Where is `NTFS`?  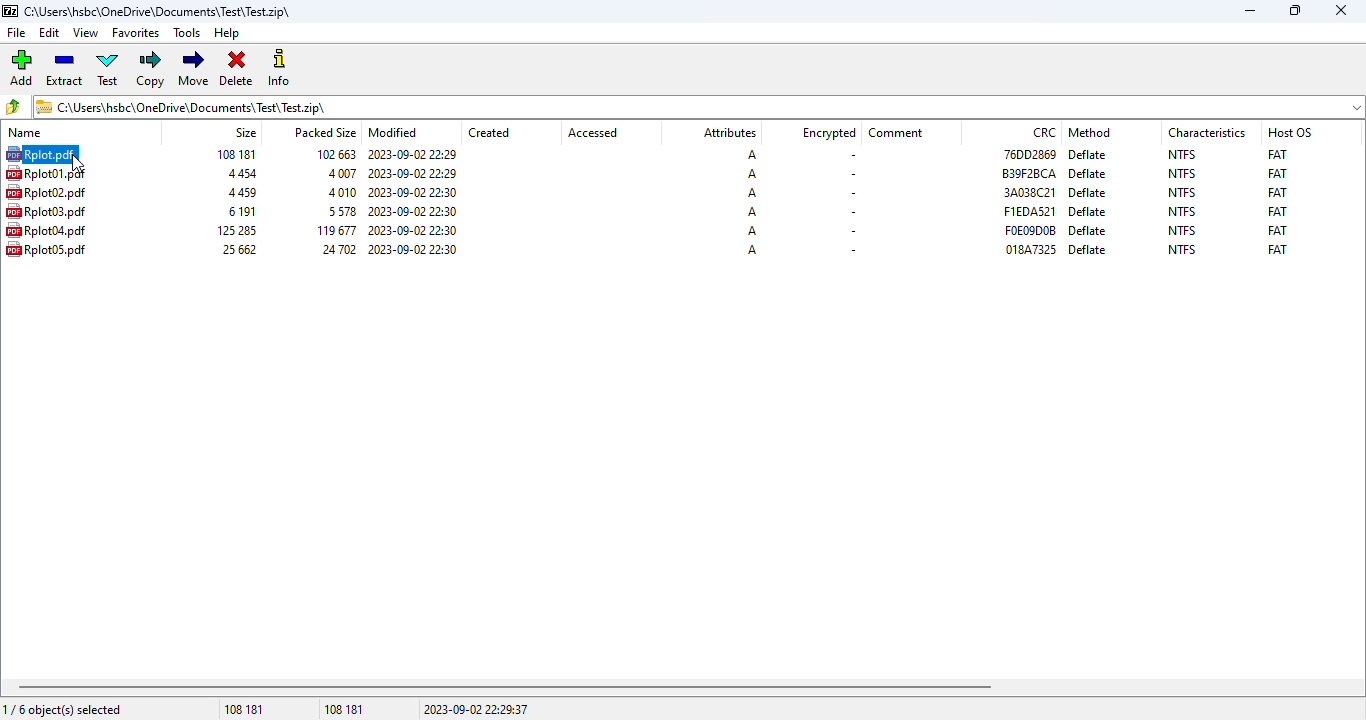
NTFS is located at coordinates (1182, 154).